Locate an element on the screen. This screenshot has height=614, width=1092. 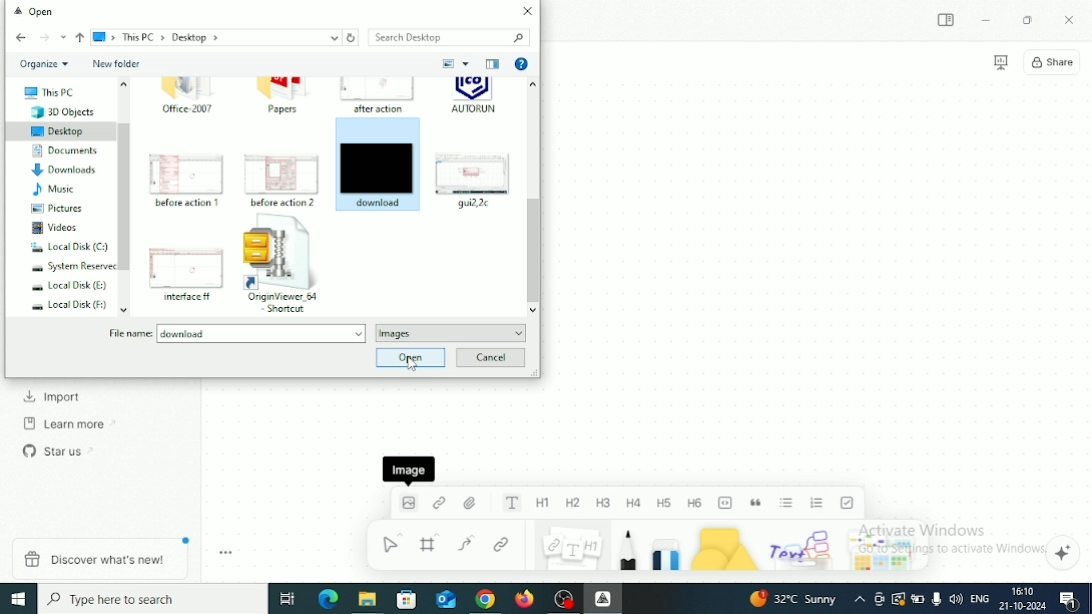
Mic is located at coordinates (936, 599).